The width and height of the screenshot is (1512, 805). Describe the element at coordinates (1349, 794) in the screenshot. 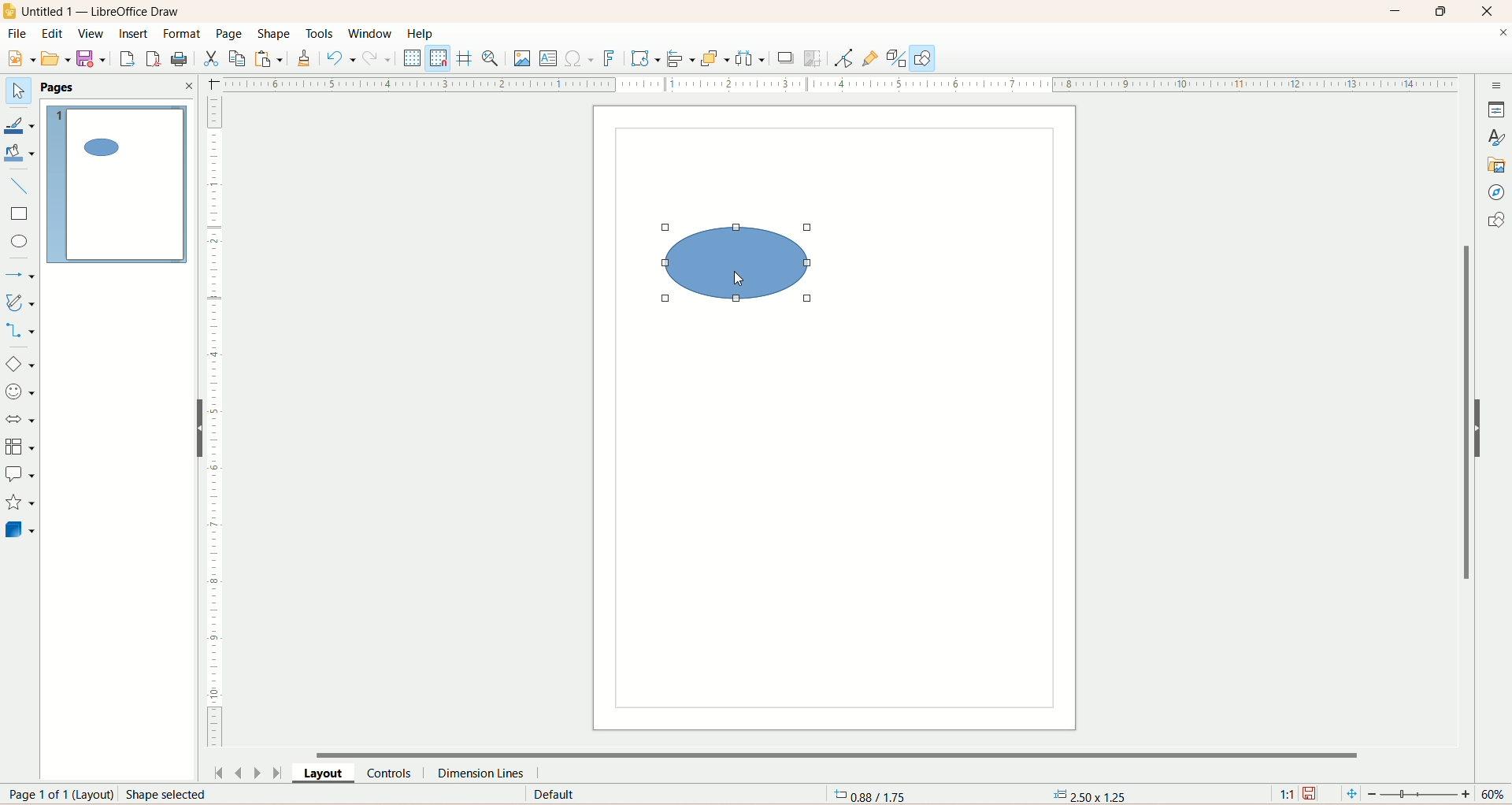

I see `fit page to current window` at that location.